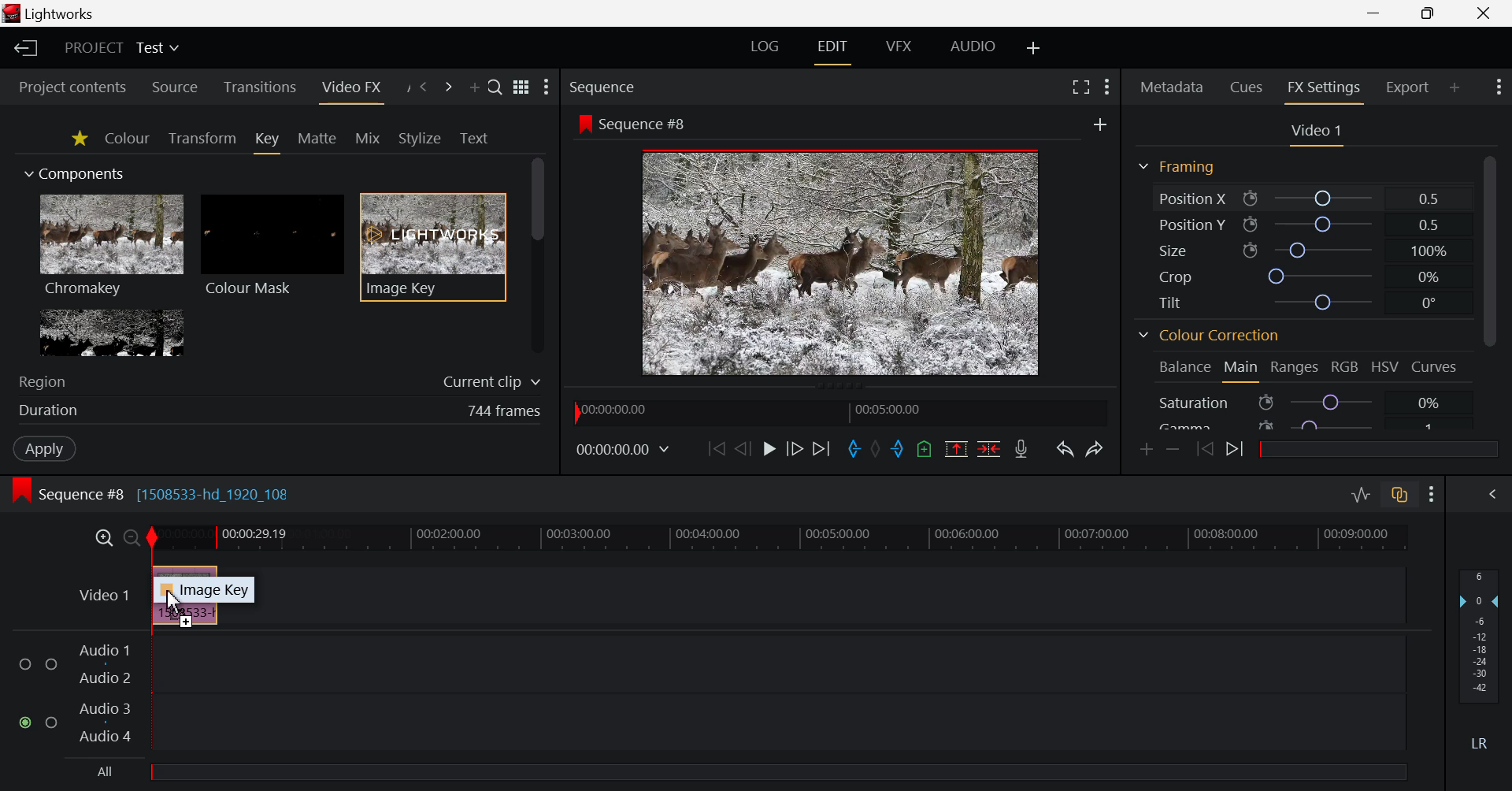 Image resolution: width=1512 pixels, height=791 pixels. What do you see at coordinates (1429, 277) in the screenshot?
I see `0%` at bounding box center [1429, 277].